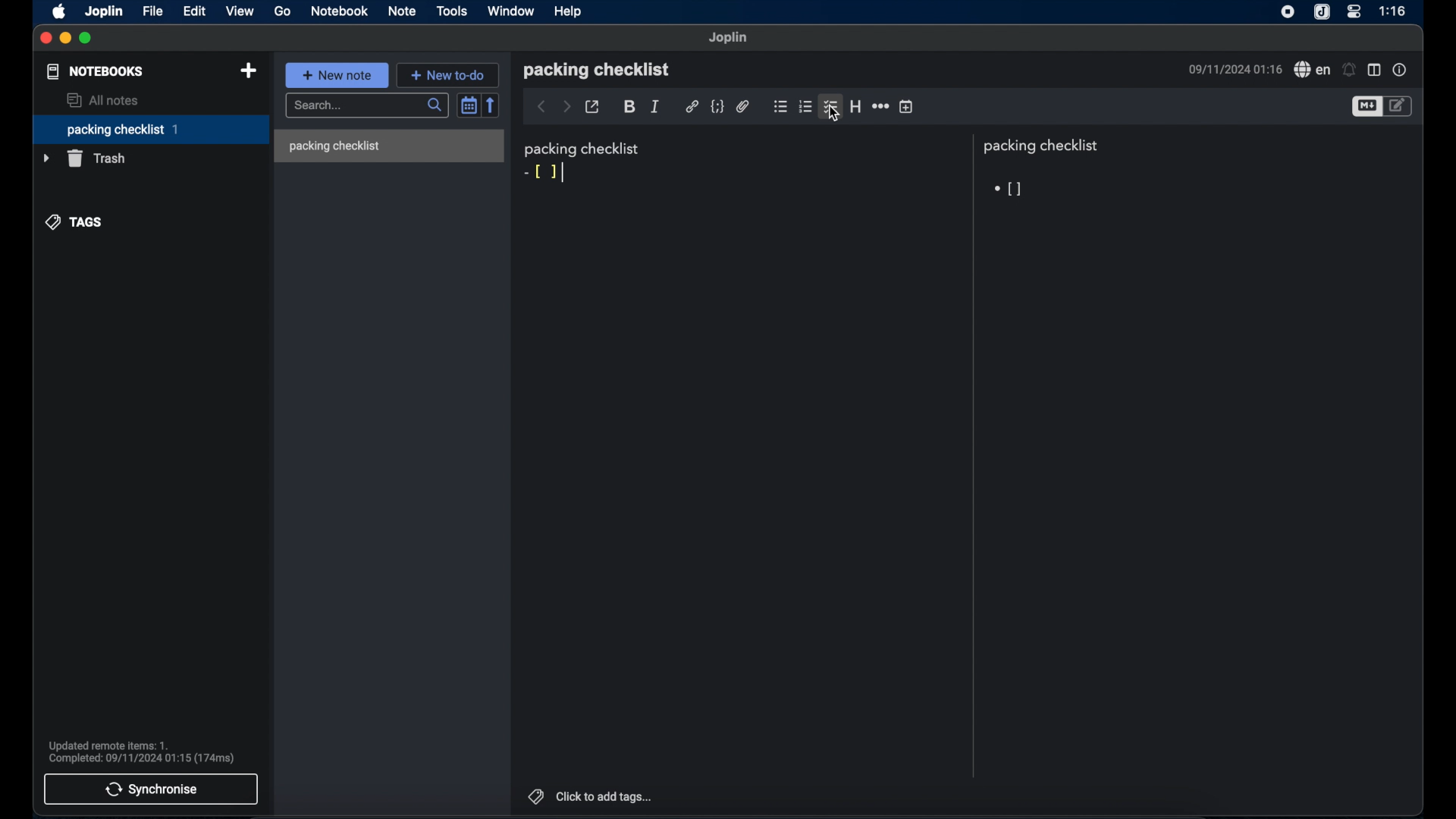  What do you see at coordinates (907, 107) in the screenshot?
I see `insert time` at bounding box center [907, 107].